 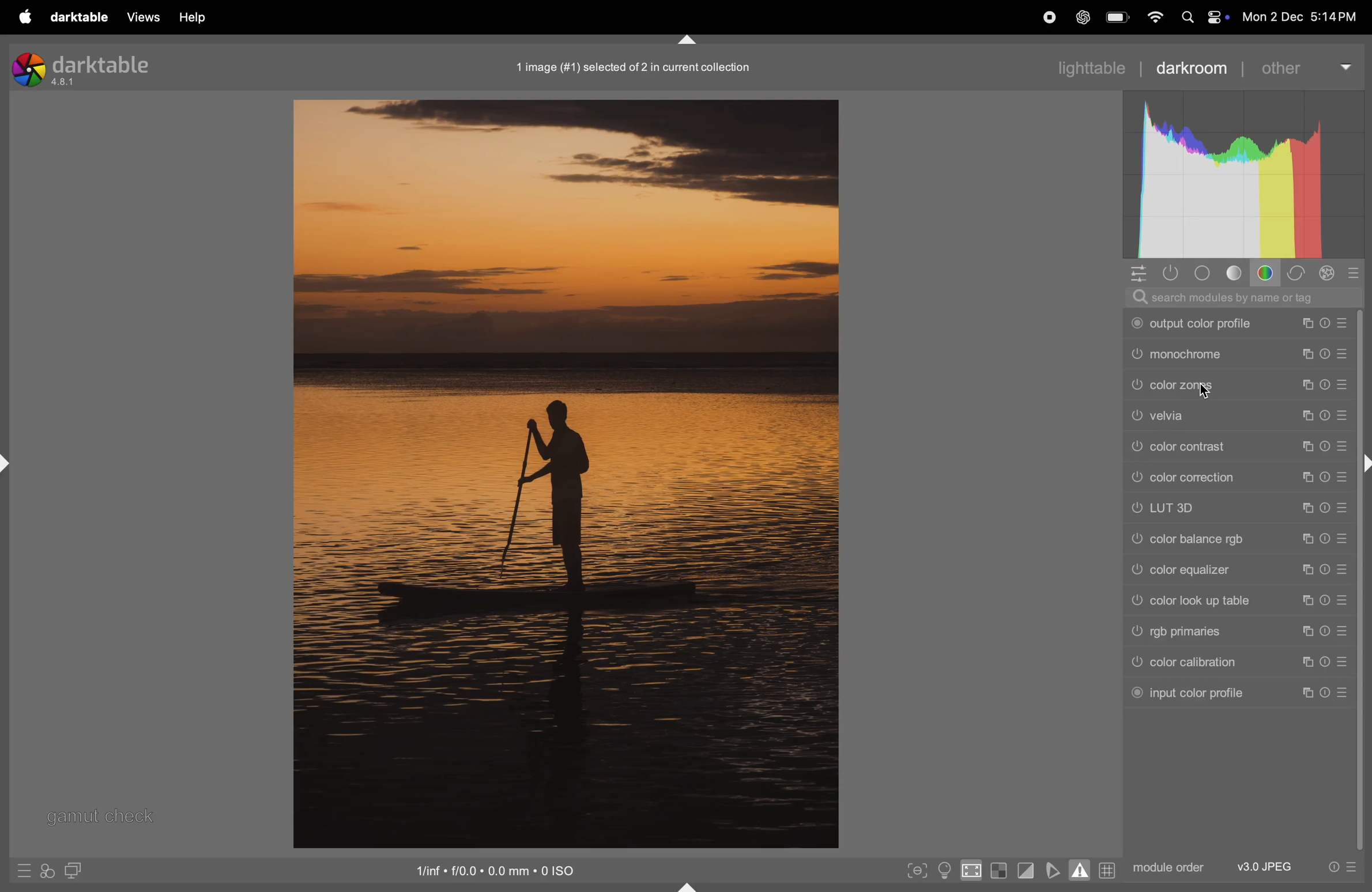 What do you see at coordinates (1028, 871) in the screenshot?
I see `toggle clipping indications` at bounding box center [1028, 871].